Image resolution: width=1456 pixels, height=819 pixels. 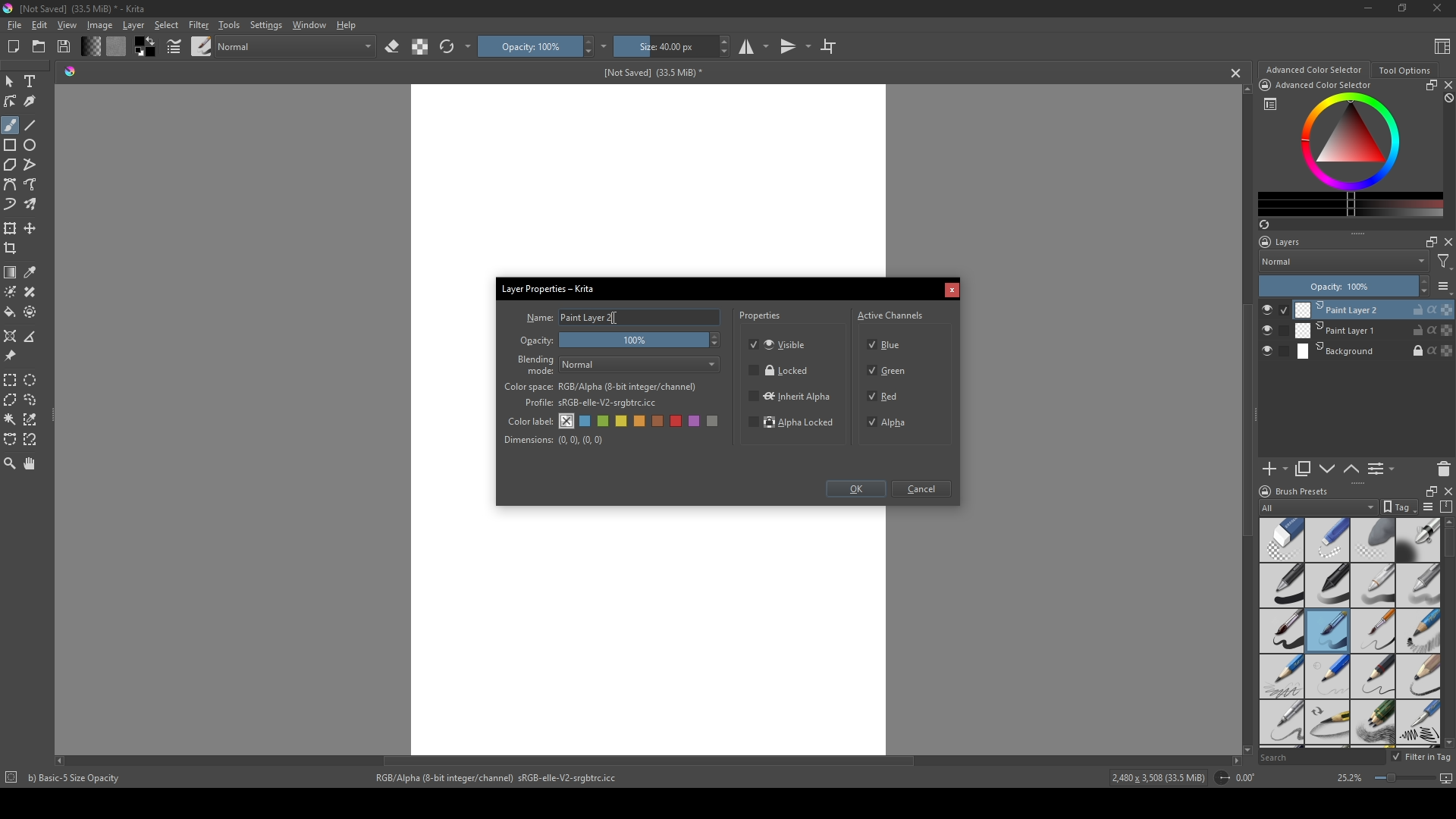 What do you see at coordinates (229, 24) in the screenshot?
I see `Tools` at bounding box center [229, 24].